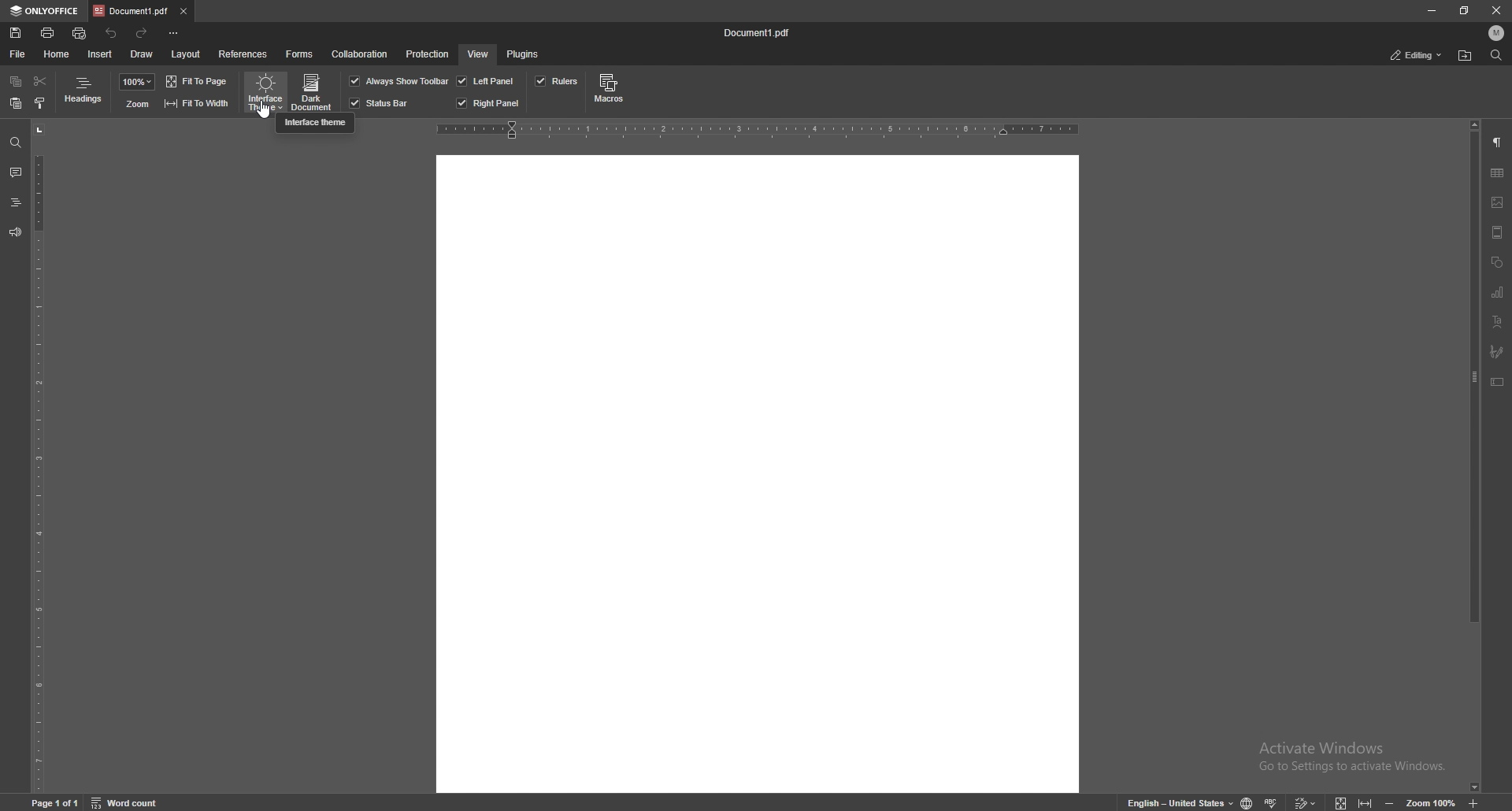 The height and width of the screenshot is (811, 1512). What do you see at coordinates (1304, 800) in the screenshot?
I see `track changes` at bounding box center [1304, 800].